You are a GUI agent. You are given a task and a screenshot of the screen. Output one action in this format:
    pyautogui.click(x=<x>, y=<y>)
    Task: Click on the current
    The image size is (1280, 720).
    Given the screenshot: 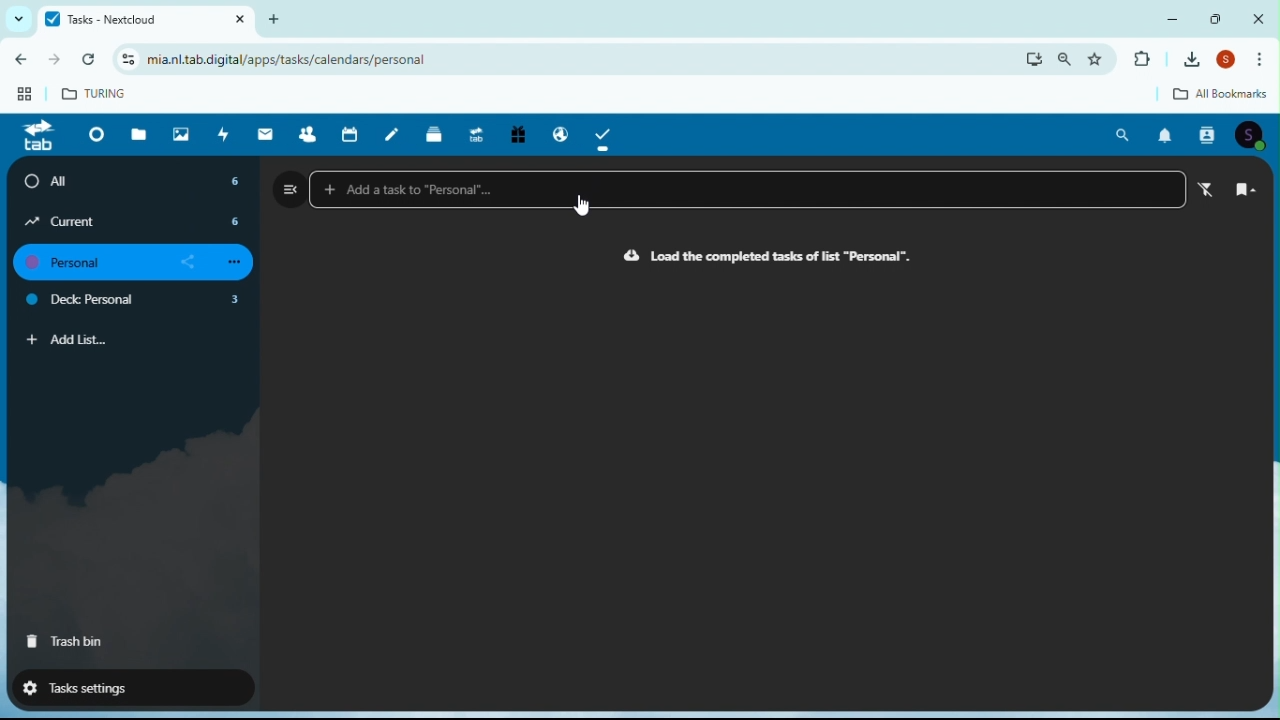 What is the action you would take?
    pyautogui.click(x=134, y=221)
    